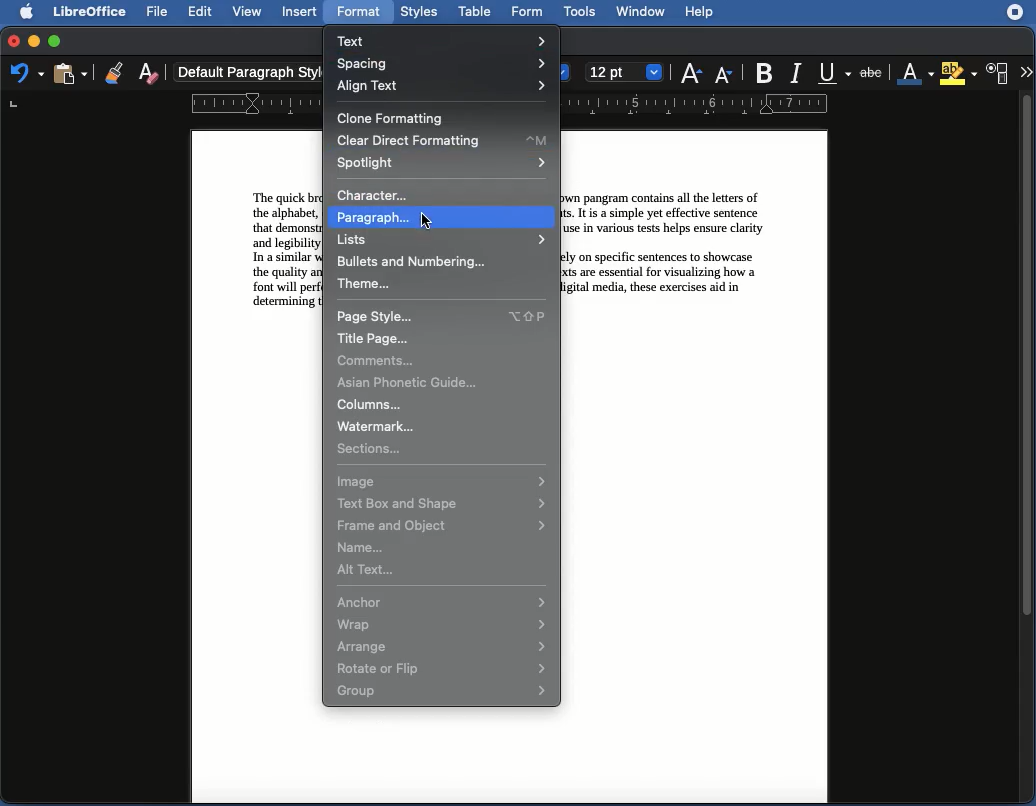 This screenshot has height=806, width=1036. What do you see at coordinates (695, 104) in the screenshot?
I see `Ruler` at bounding box center [695, 104].